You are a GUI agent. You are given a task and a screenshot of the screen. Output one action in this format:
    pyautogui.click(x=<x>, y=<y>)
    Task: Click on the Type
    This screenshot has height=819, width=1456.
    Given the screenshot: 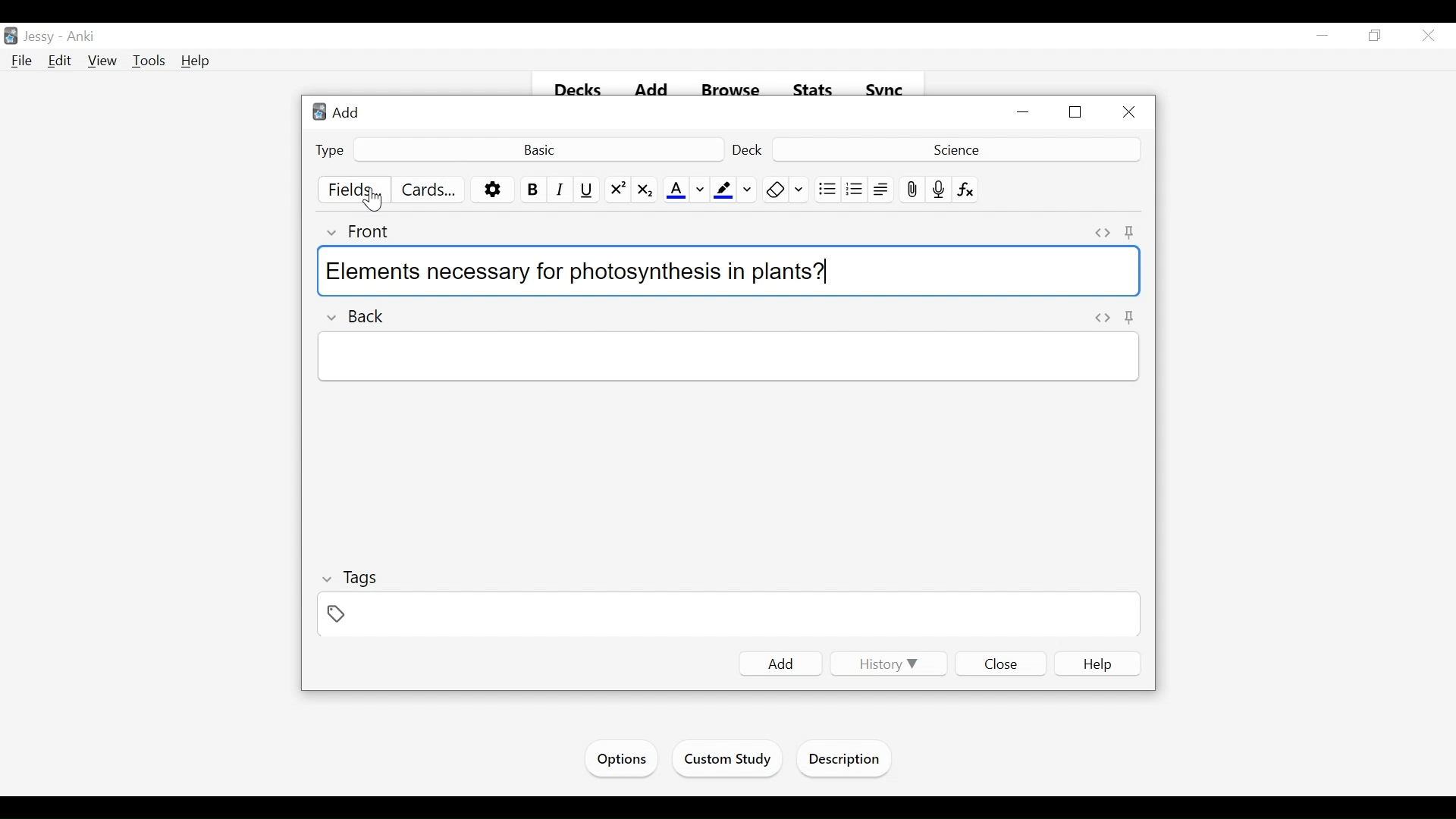 What is the action you would take?
    pyautogui.click(x=331, y=149)
    